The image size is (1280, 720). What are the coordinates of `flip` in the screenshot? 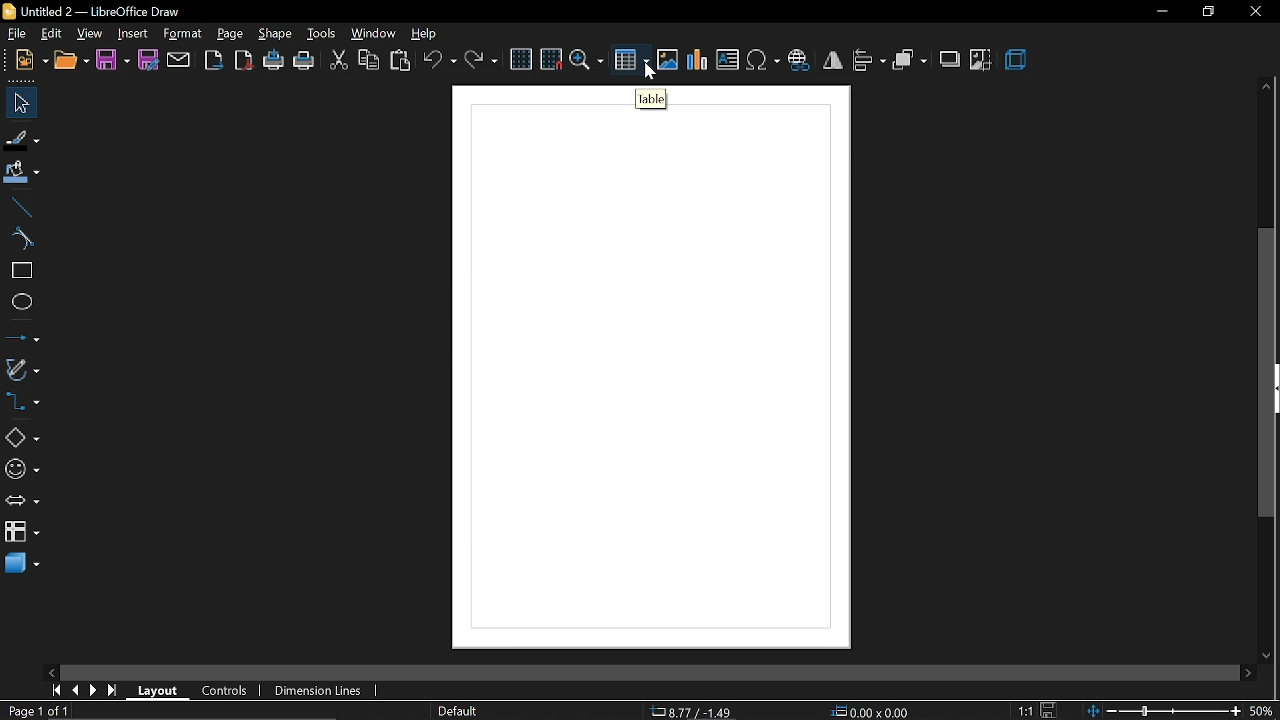 It's located at (834, 61).